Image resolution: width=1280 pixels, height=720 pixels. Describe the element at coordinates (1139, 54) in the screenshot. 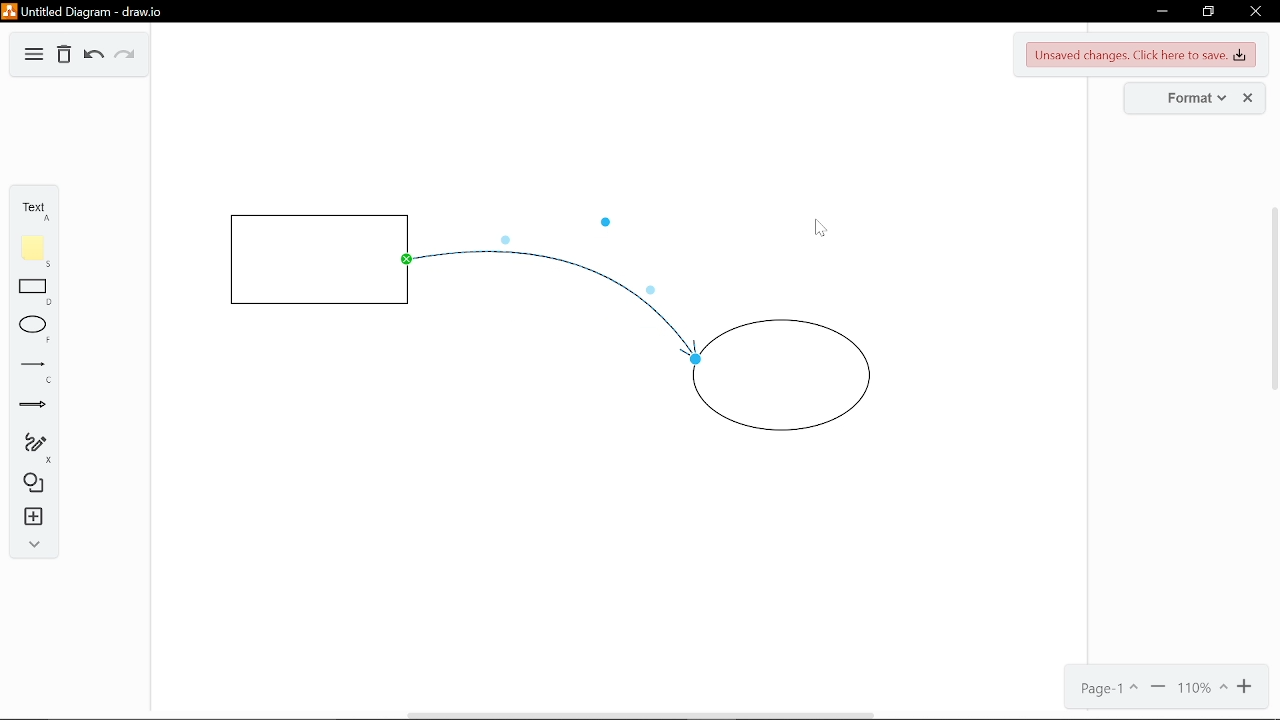

I see `Unsaved changes. Click here to save` at that location.